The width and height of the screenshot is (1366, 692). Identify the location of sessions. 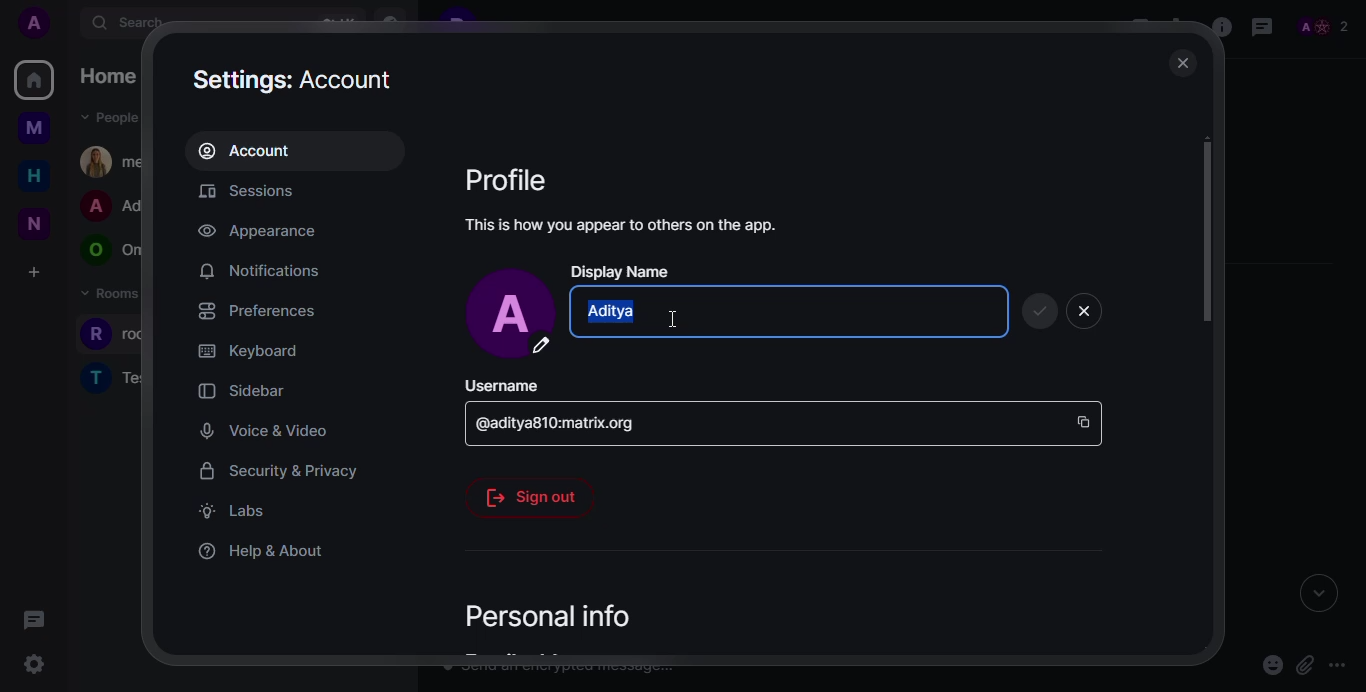
(256, 191).